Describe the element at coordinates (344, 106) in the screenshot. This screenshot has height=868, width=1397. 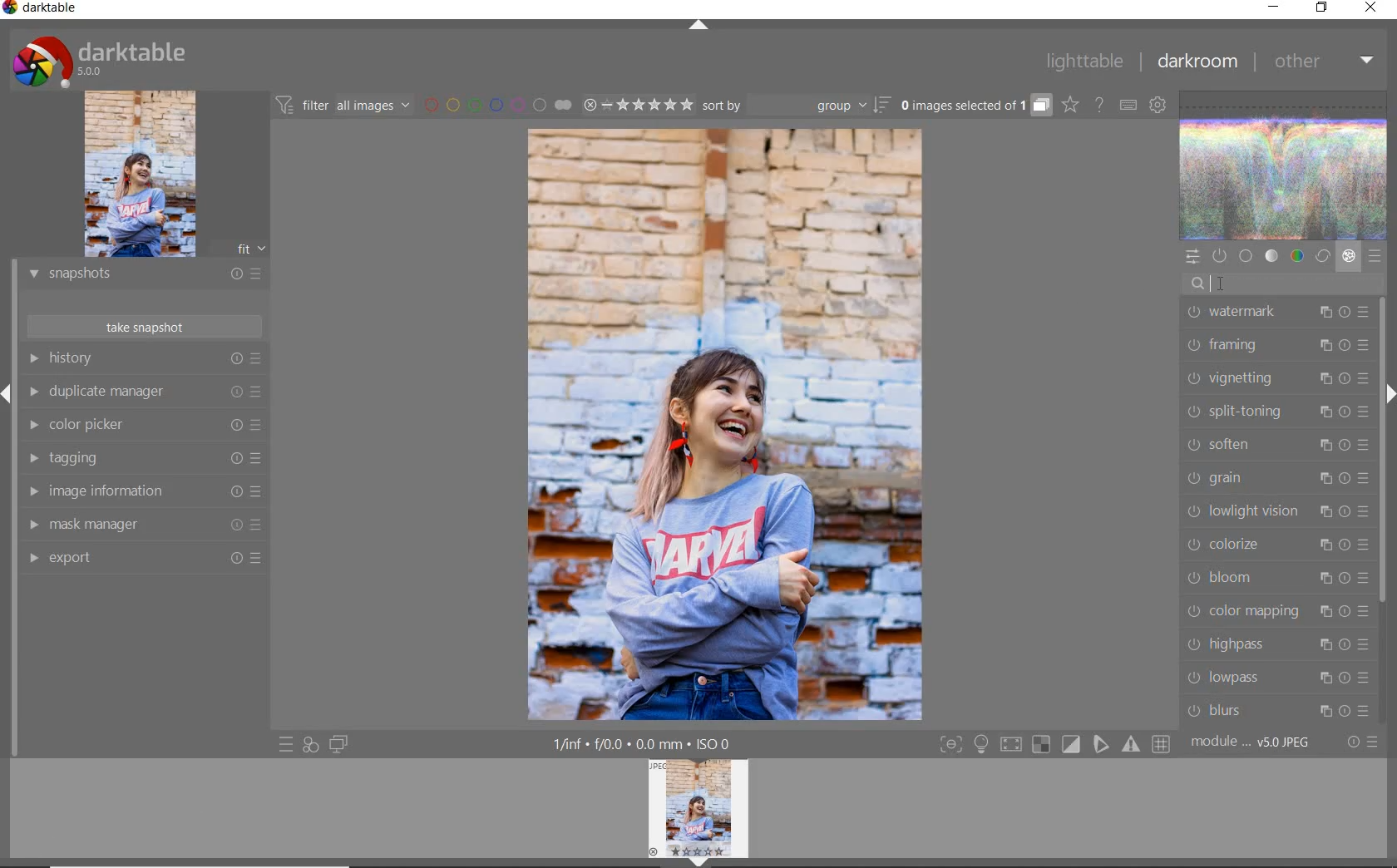
I see `filter all images by module order` at that location.